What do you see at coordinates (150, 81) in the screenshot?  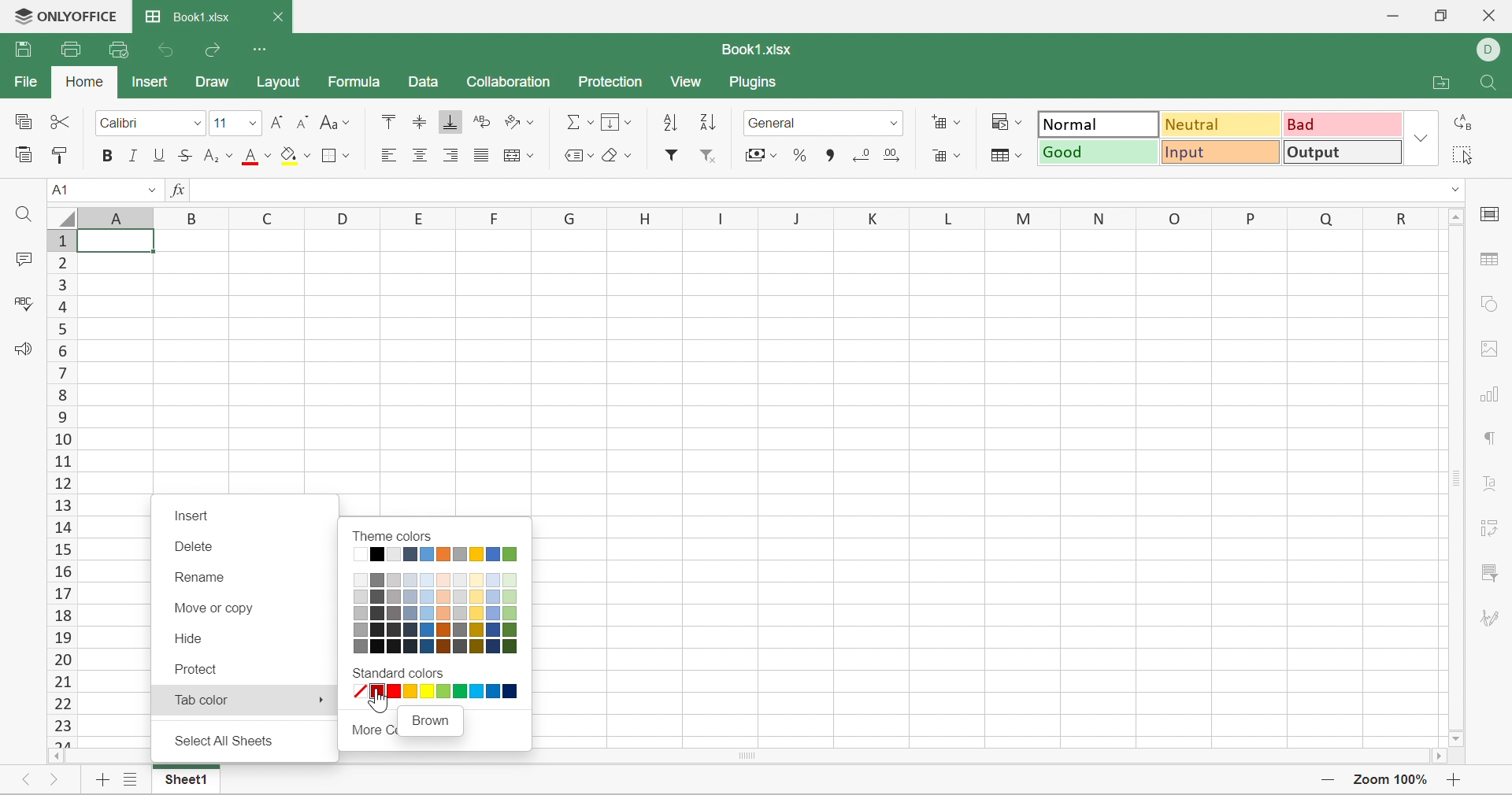 I see `Insert` at bounding box center [150, 81].